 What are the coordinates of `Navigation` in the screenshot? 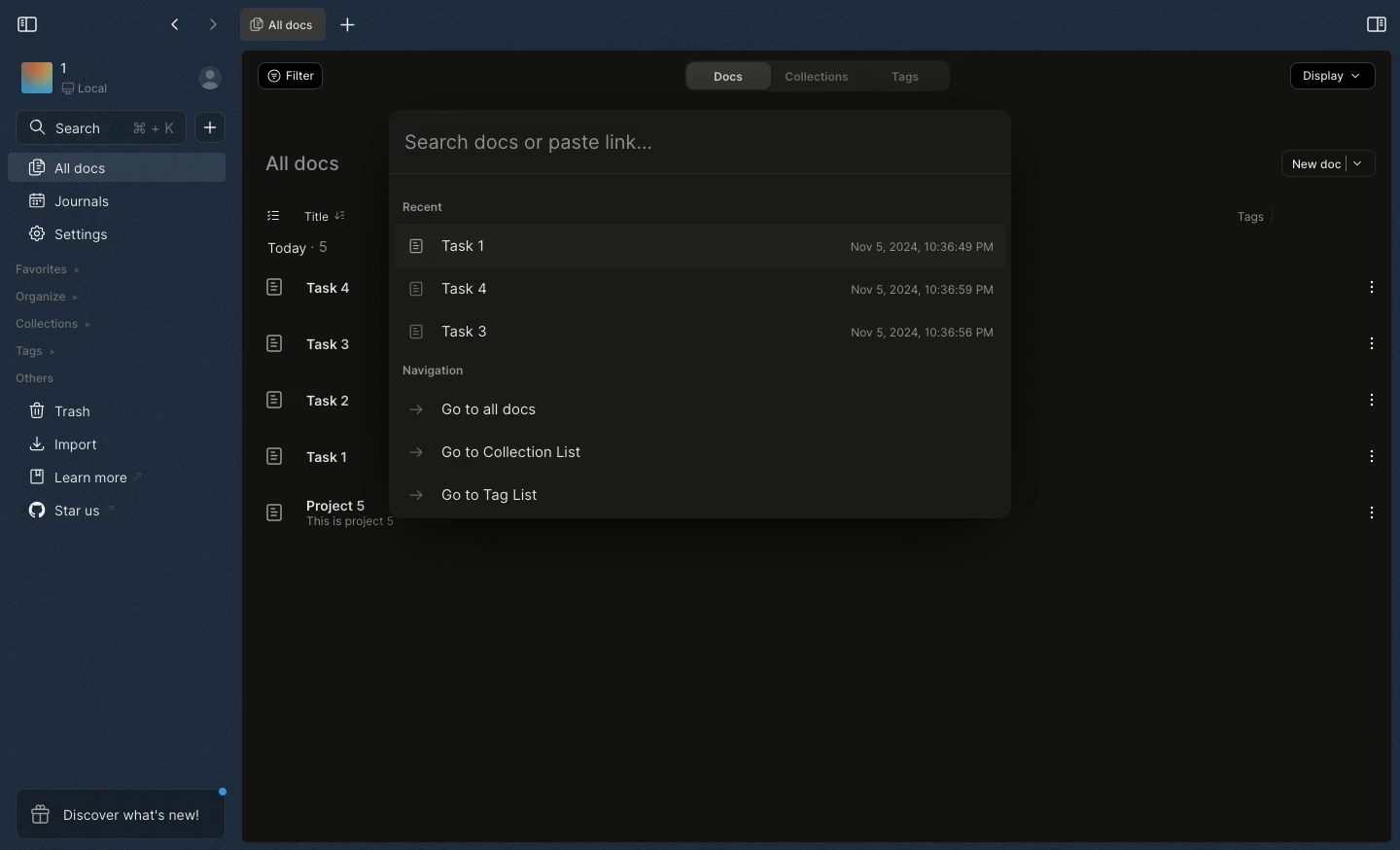 It's located at (441, 372).